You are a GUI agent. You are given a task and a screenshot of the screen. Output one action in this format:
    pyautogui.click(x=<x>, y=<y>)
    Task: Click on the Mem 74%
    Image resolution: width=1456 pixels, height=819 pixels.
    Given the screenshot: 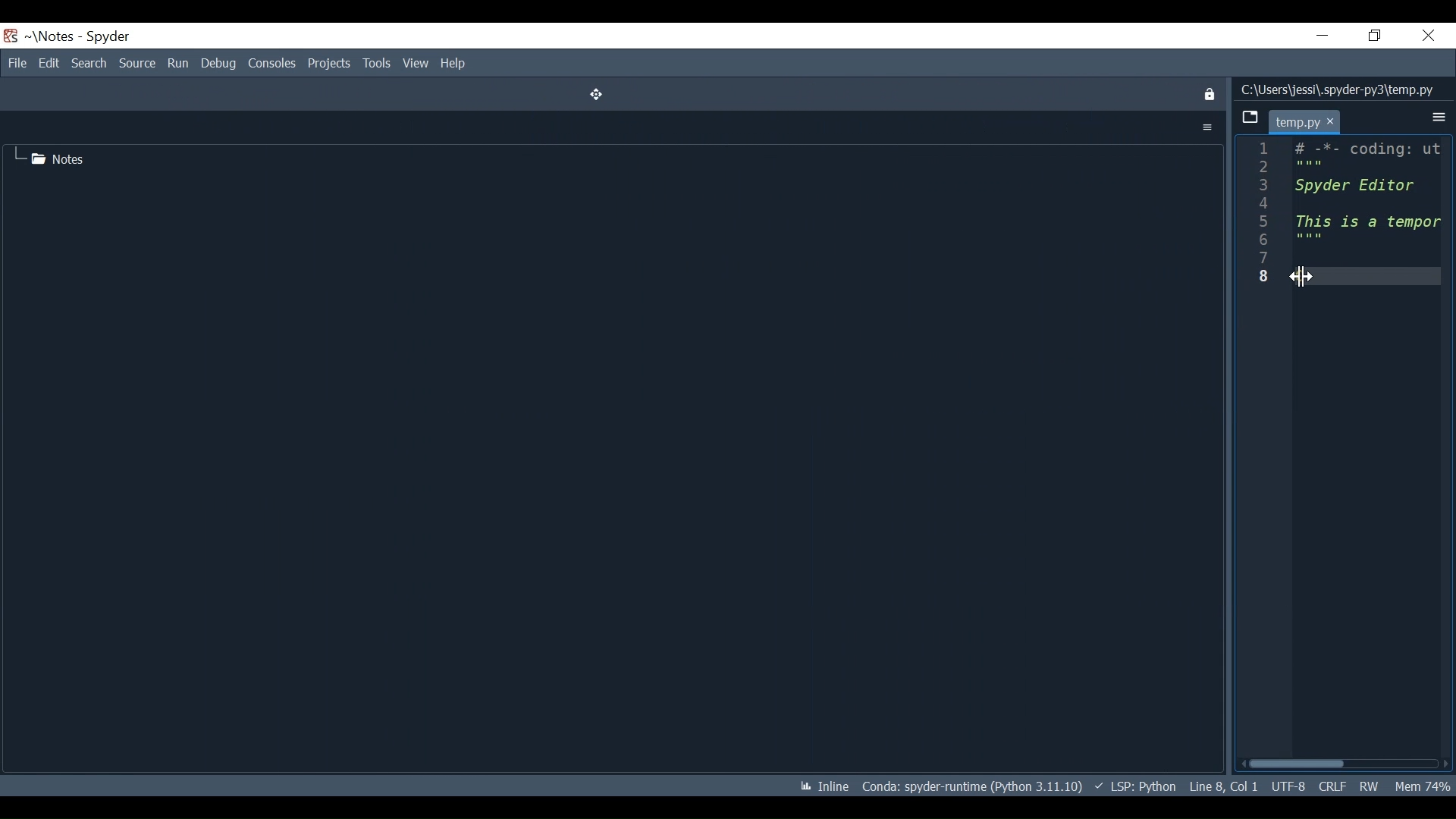 What is the action you would take?
    pyautogui.click(x=1422, y=786)
    